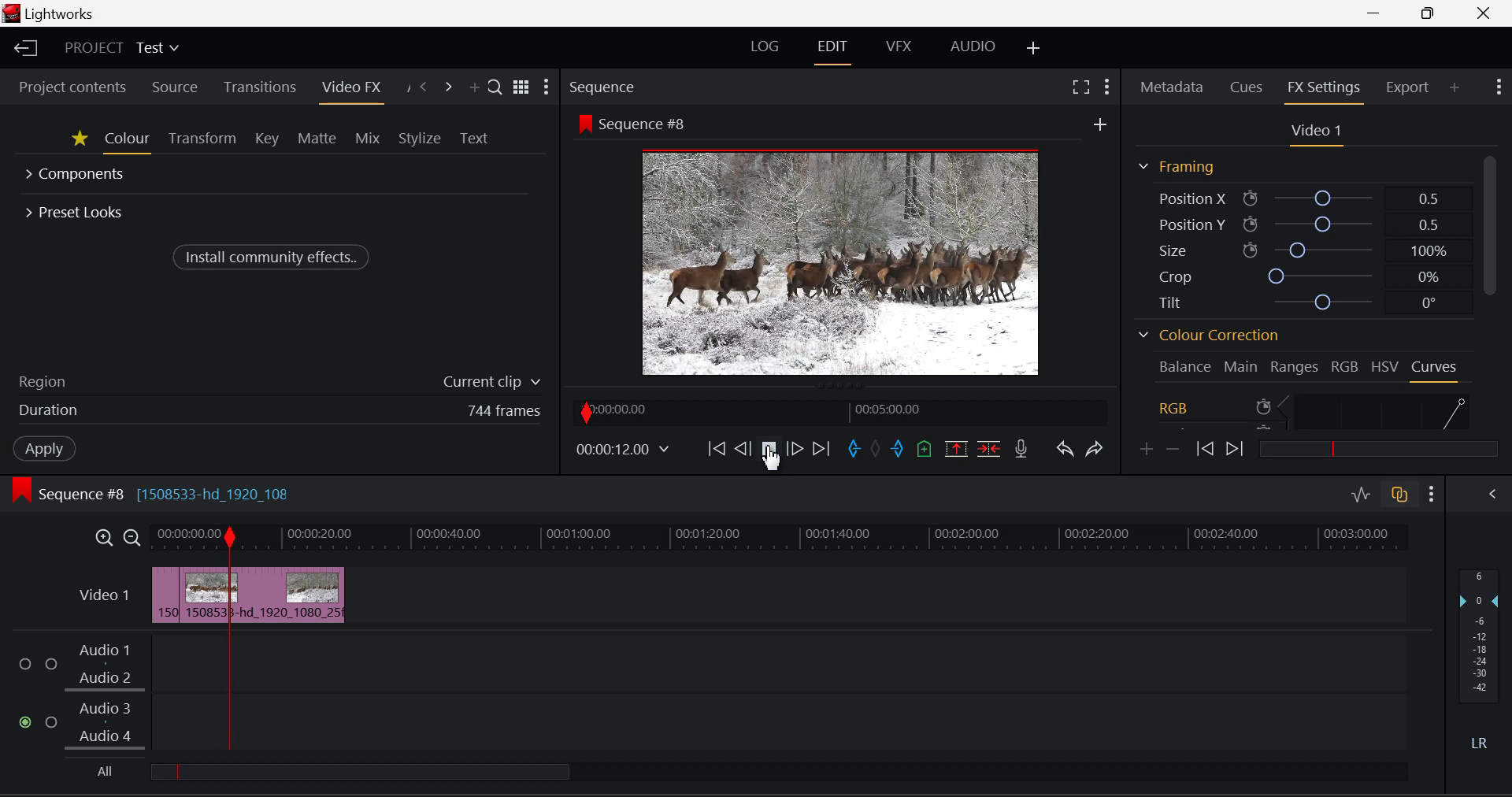 Image resolution: width=1512 pixels, height=797 pixels. Describe the element at coordinates (131, 538) in the screenshot. I see `Timeline Zoom Out` at that location.